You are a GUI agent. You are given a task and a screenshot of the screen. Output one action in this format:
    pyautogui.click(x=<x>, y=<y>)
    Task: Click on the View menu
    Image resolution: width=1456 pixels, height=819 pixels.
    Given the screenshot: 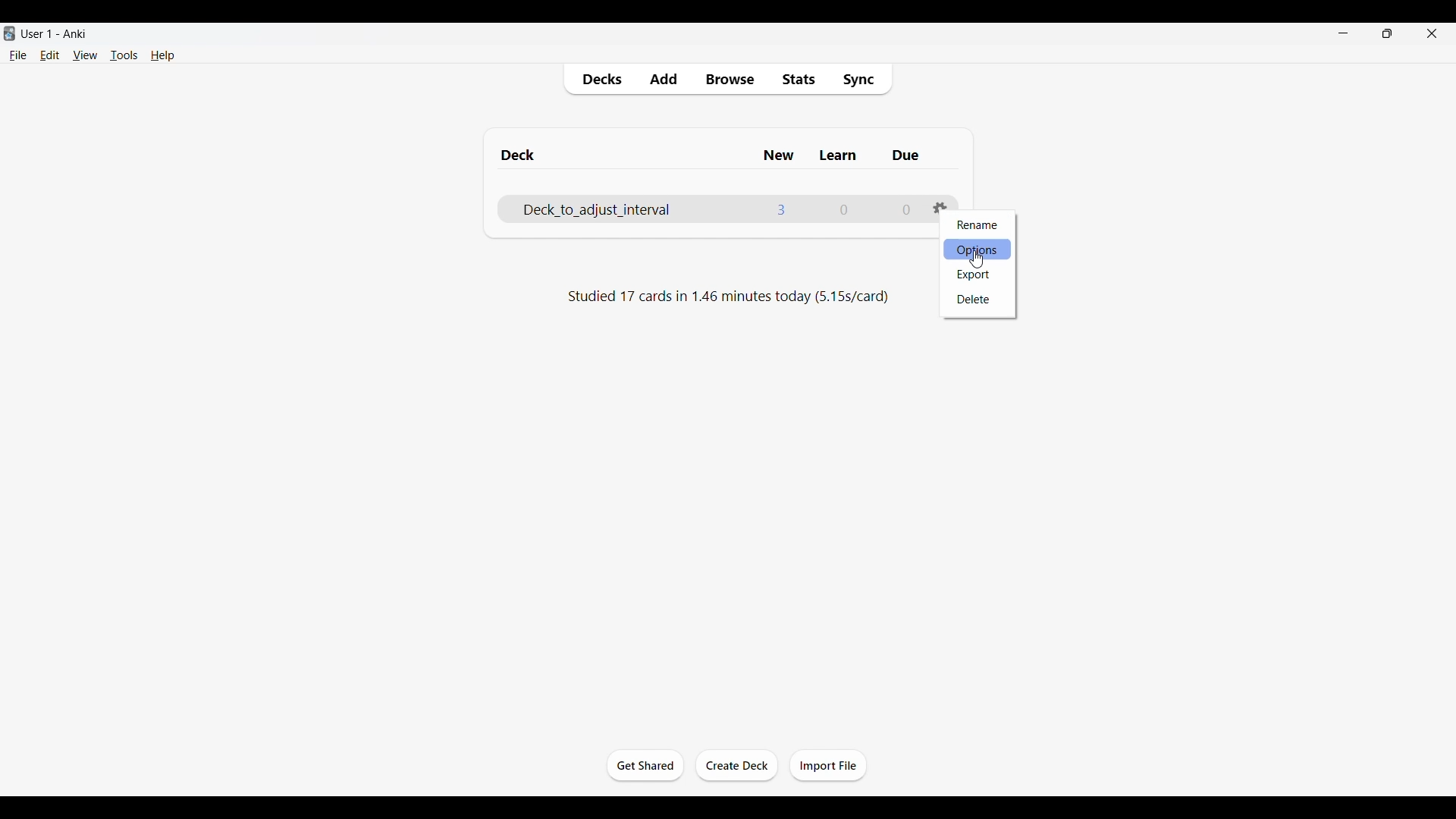 What is the action you would take?
    pyautogui.click(x=85, y=55)
    